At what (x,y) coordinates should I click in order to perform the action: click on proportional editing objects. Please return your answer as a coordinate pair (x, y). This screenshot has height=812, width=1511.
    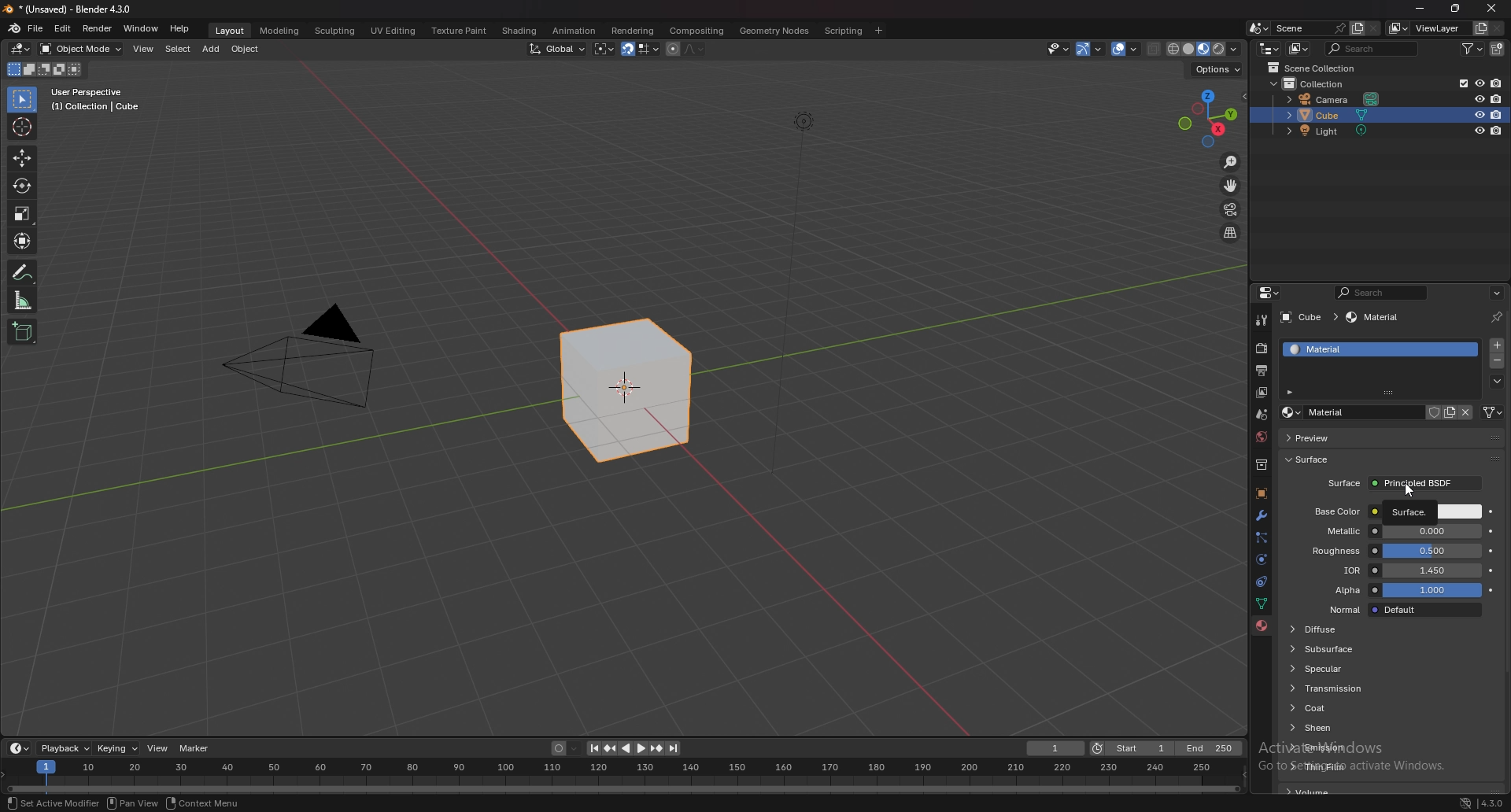
    Looking at the image, I should click on (671, 49).